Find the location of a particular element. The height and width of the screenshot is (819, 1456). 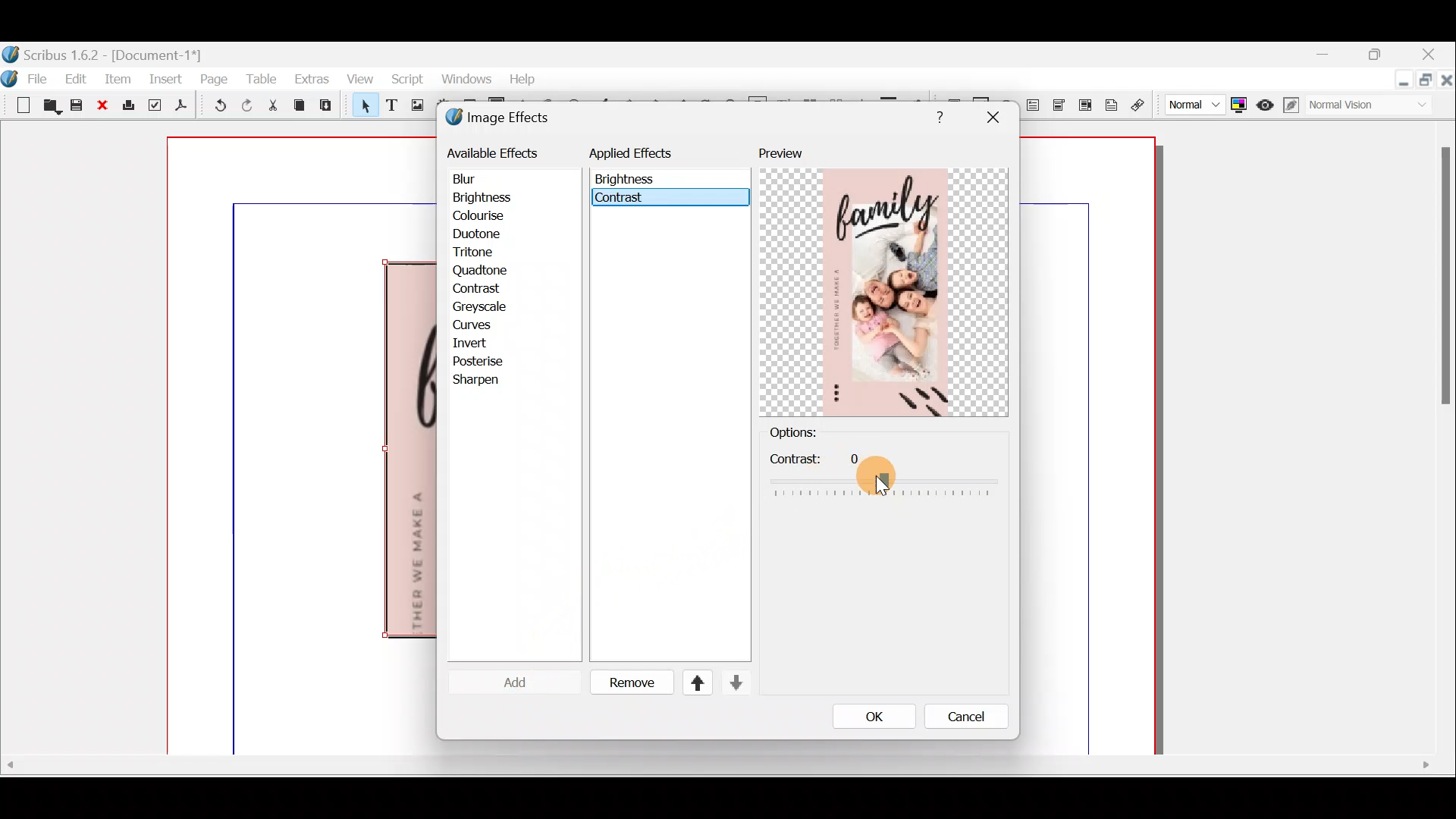

Save as PDF is located at coordinates (179, 108).